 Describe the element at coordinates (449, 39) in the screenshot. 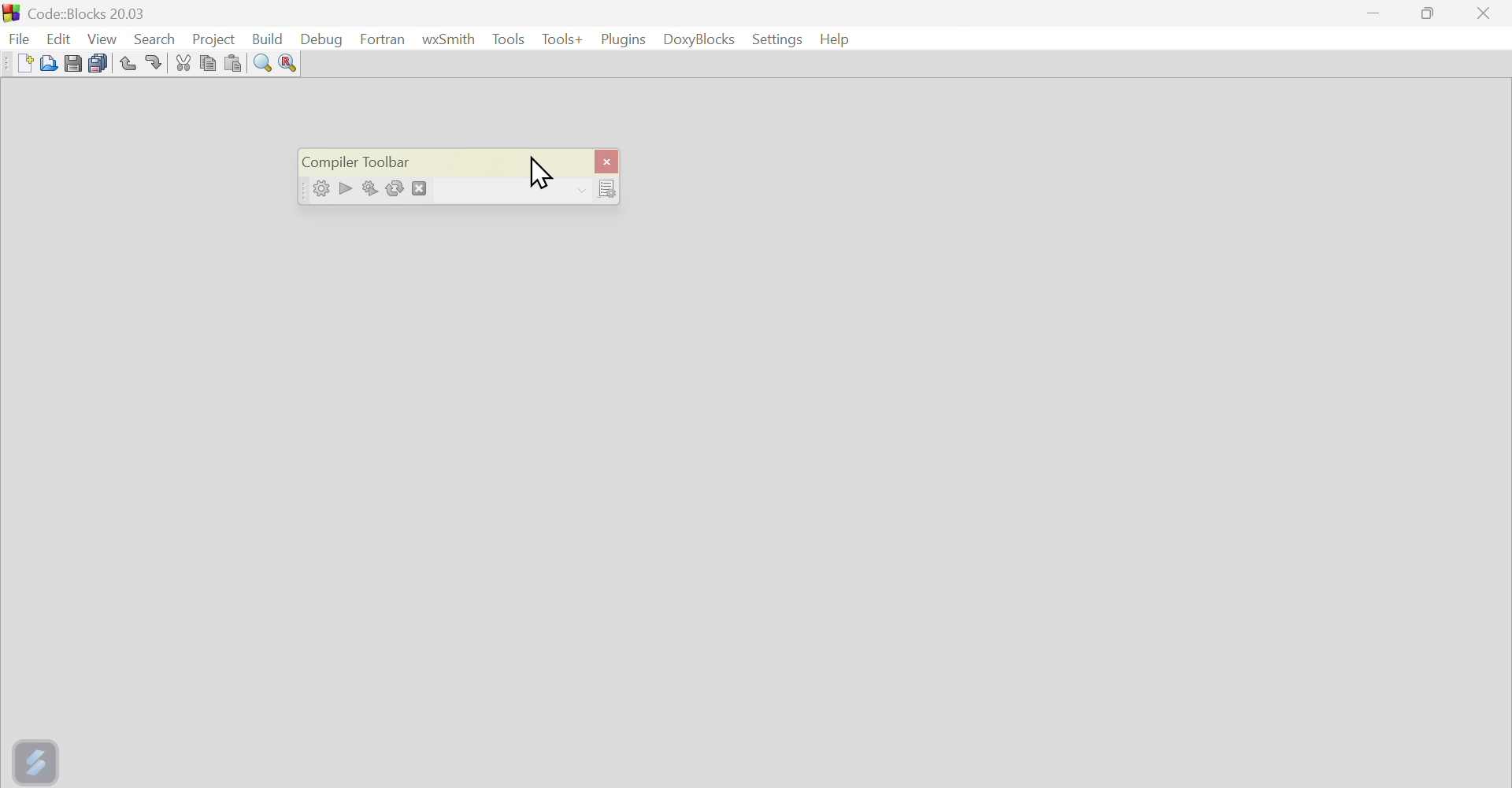

I see `WX Smith` at that location.